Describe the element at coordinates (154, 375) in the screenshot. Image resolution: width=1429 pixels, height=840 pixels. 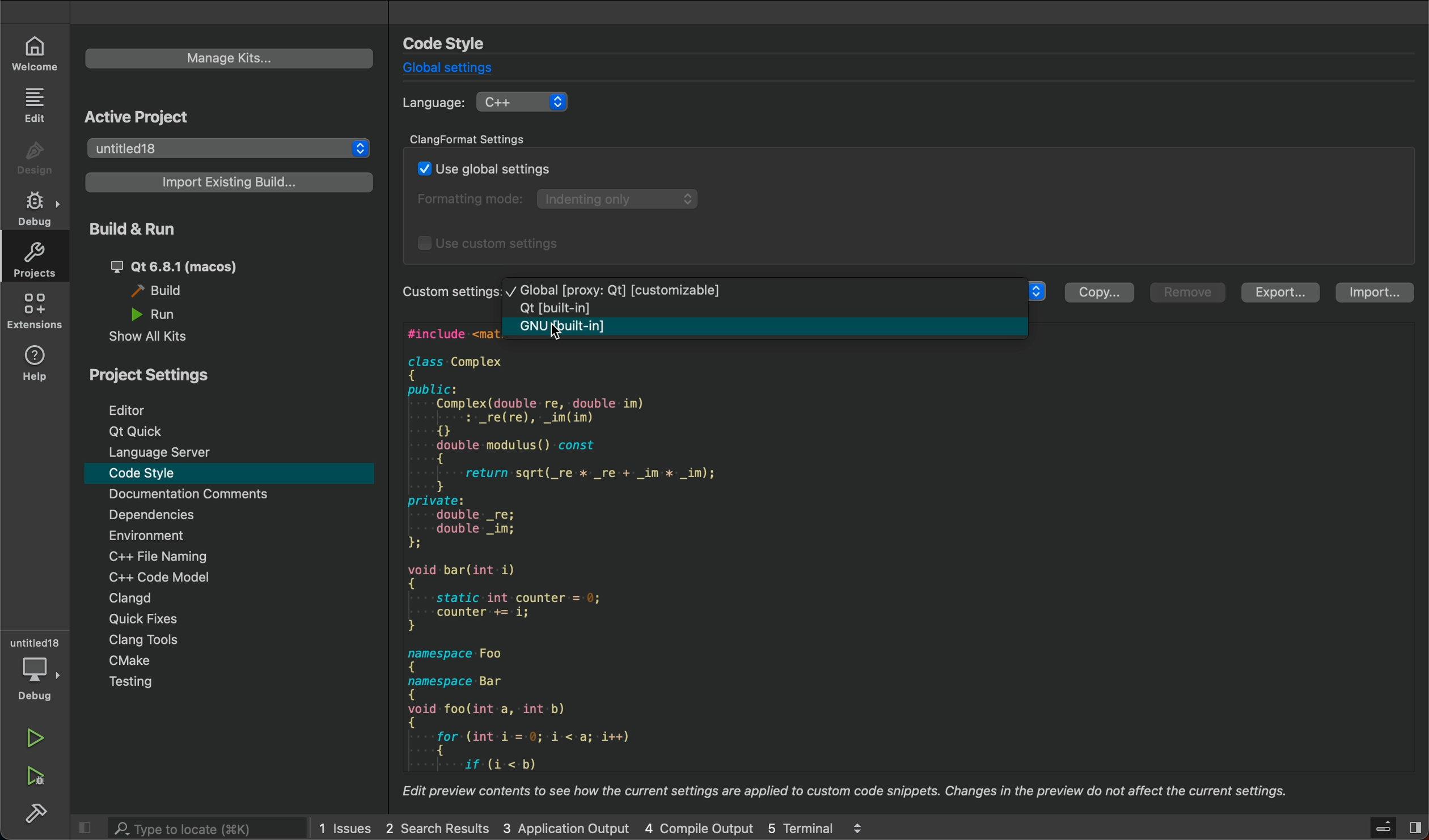
I see `Project setting ` at that location.